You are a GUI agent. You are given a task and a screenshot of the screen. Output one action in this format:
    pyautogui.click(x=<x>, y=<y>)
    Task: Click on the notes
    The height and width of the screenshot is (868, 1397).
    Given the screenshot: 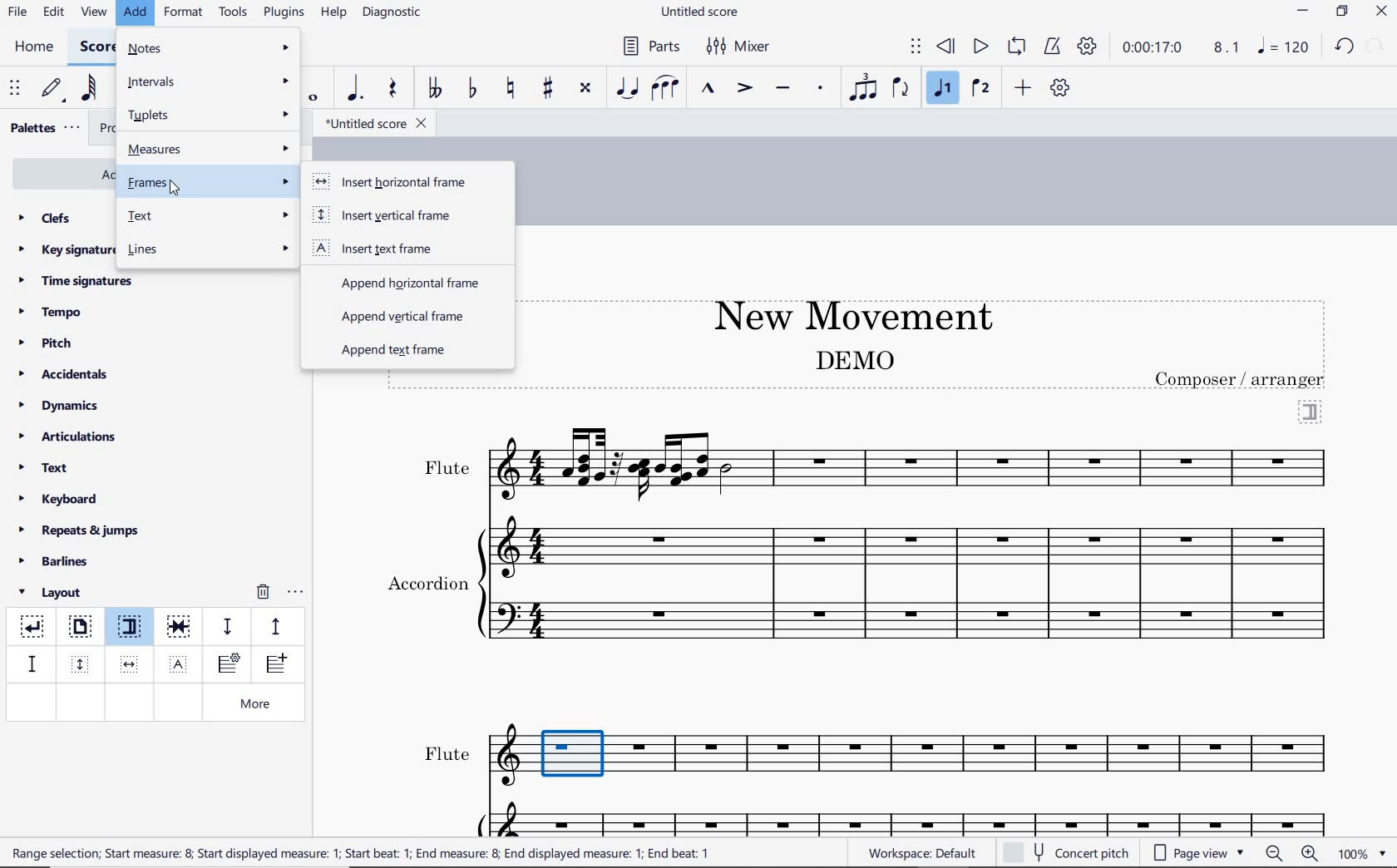 What is the action you would take?
    pyautogui.click(x=209, y=49)
    